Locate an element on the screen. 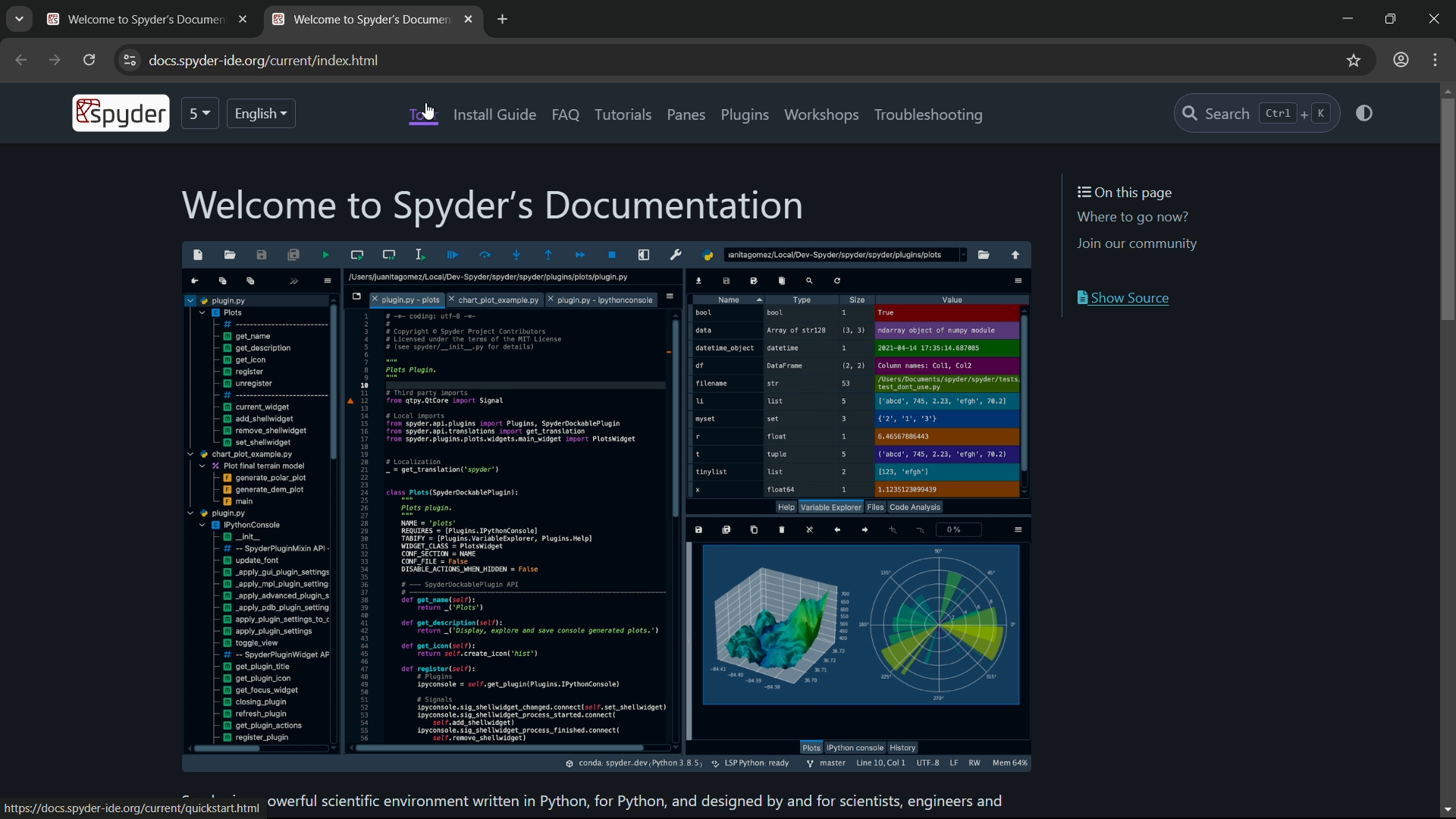 The image size is (1456, 819). profile settings is located at coordinates (1357, 61).